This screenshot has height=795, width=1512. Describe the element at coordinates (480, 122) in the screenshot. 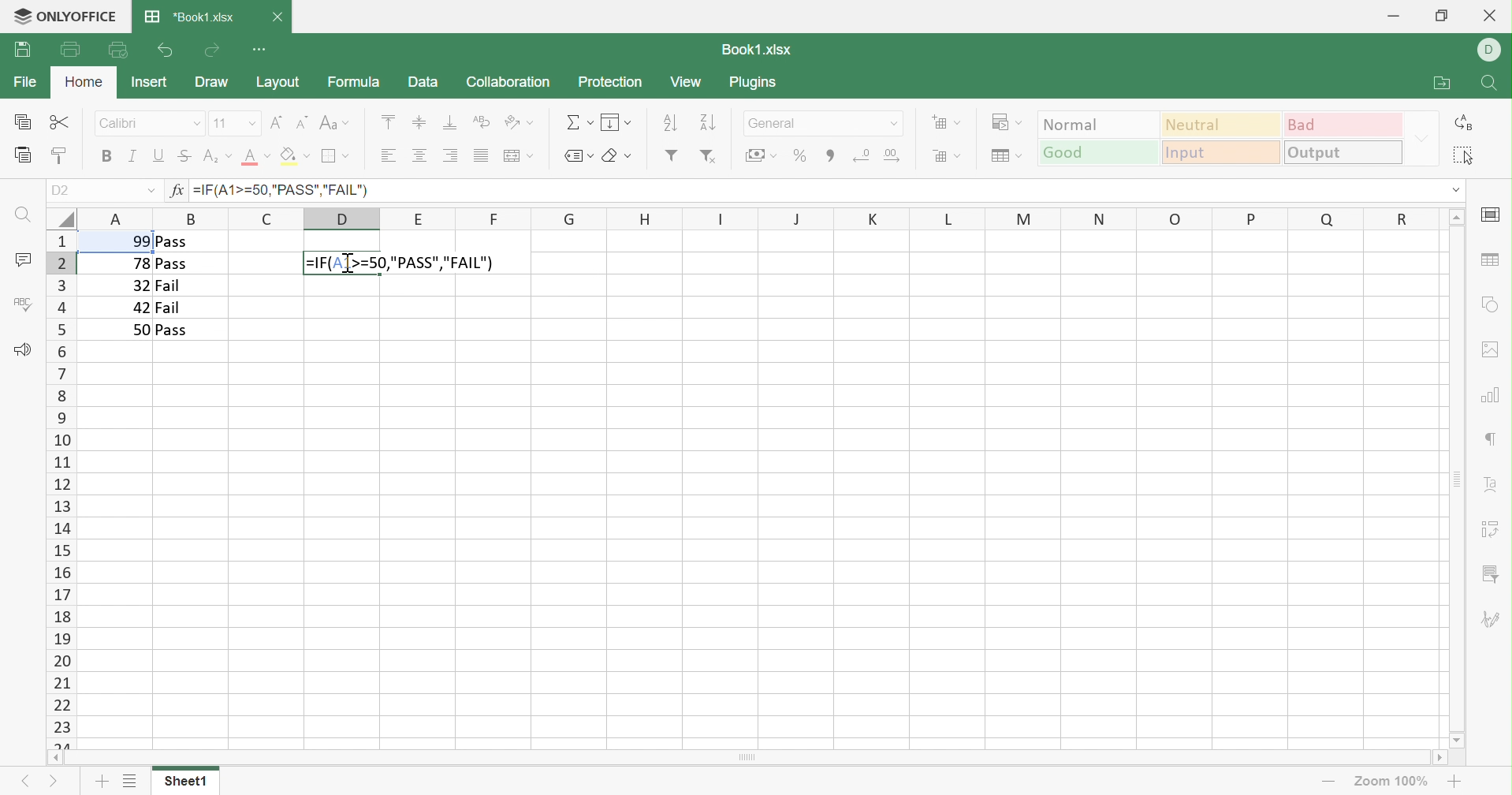

I see `Wrap text` at that location.